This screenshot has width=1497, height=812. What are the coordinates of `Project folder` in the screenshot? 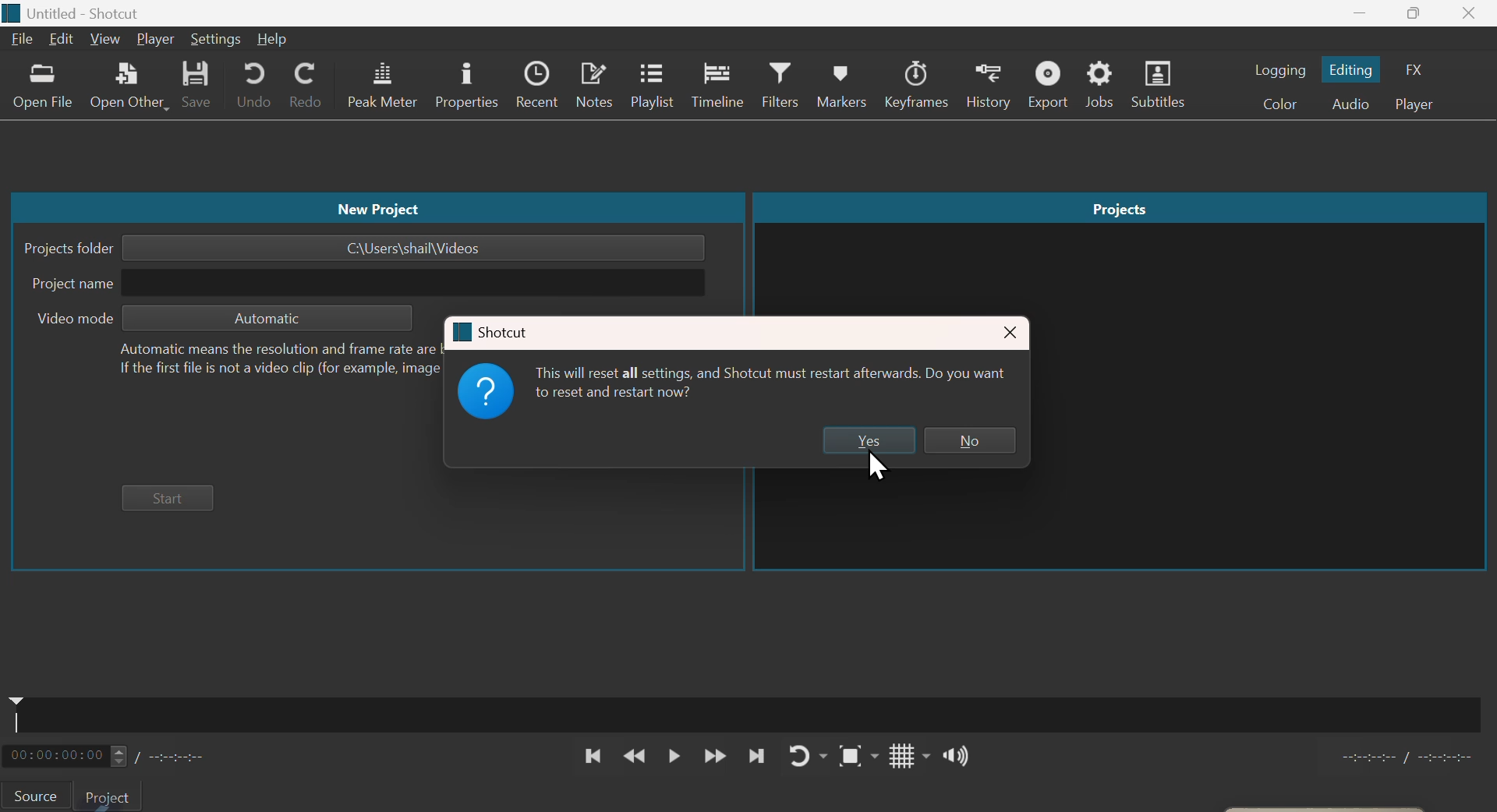 It's located at (68, 249).